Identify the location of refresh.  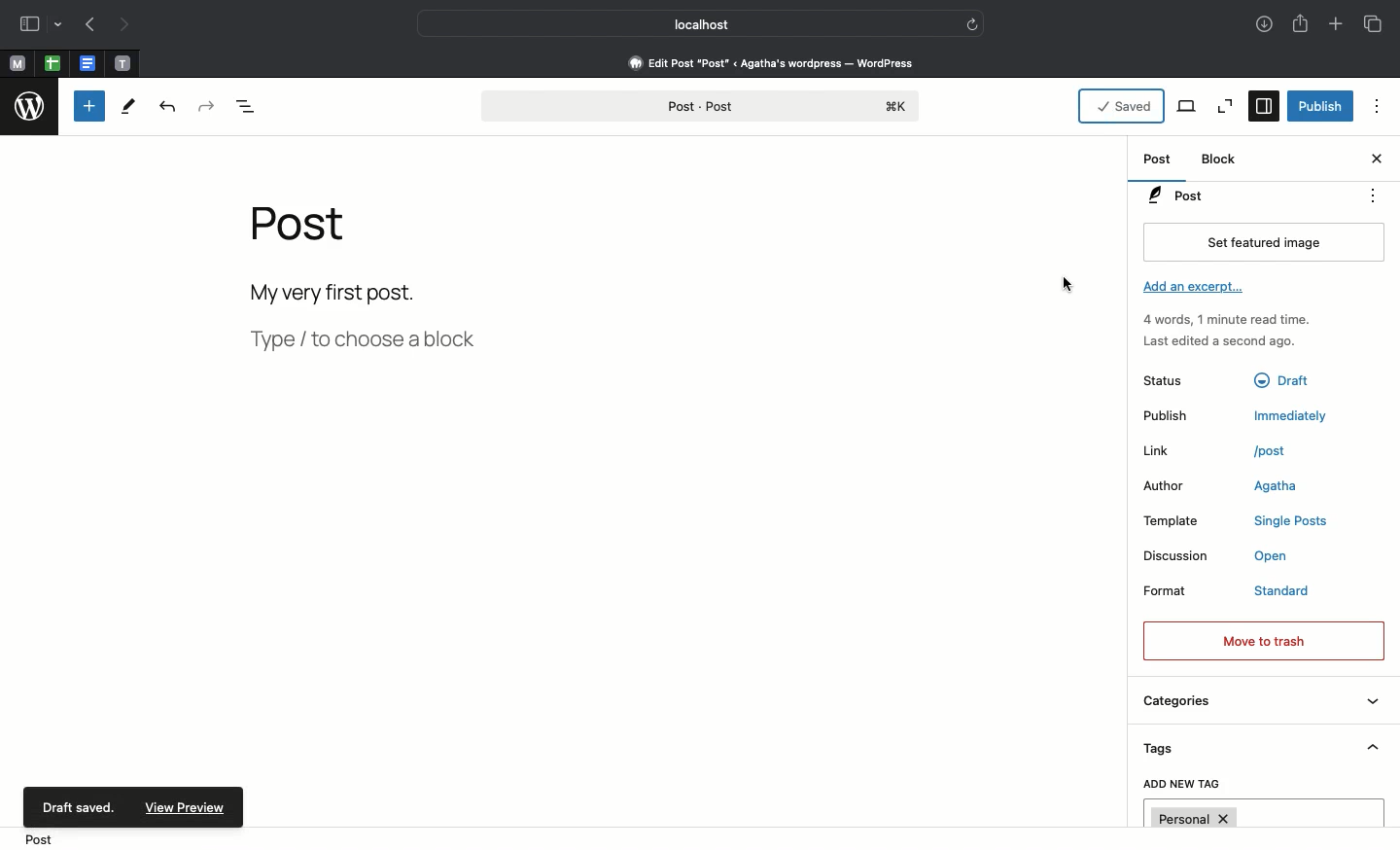
(975, 22).